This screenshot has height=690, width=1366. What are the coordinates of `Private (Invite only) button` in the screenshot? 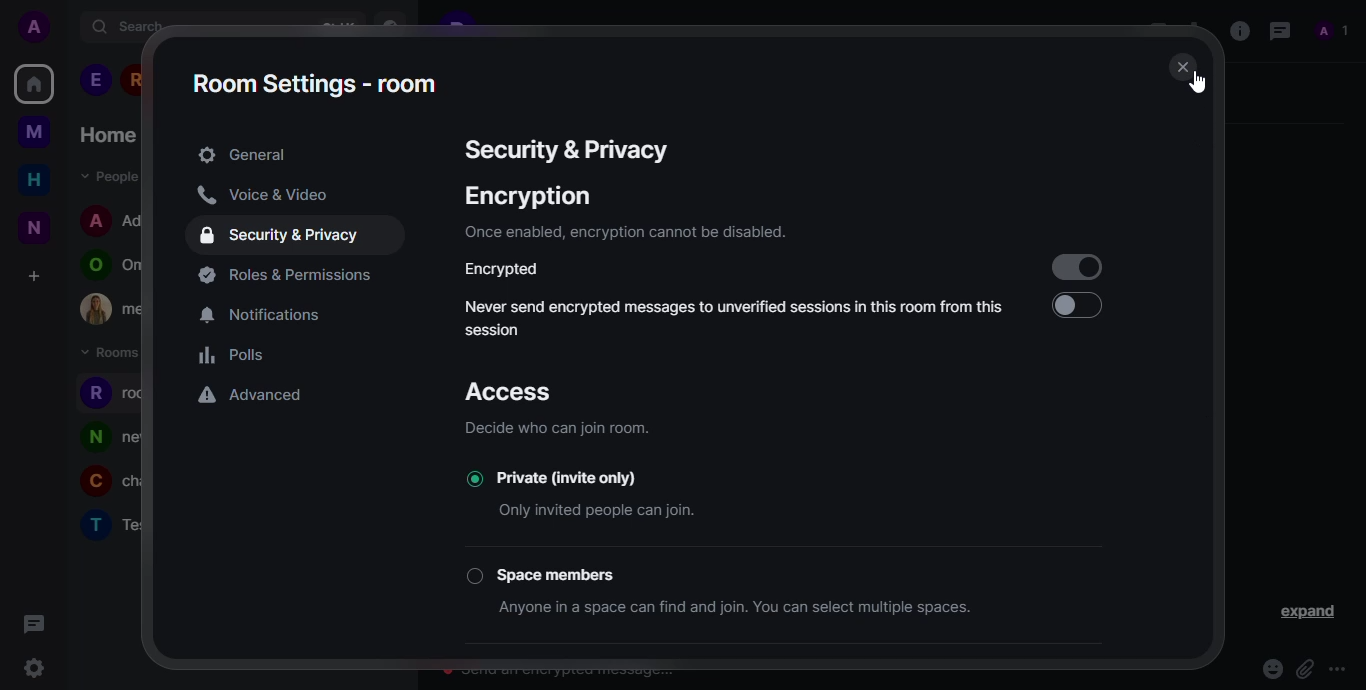 It's located at (557, 479).